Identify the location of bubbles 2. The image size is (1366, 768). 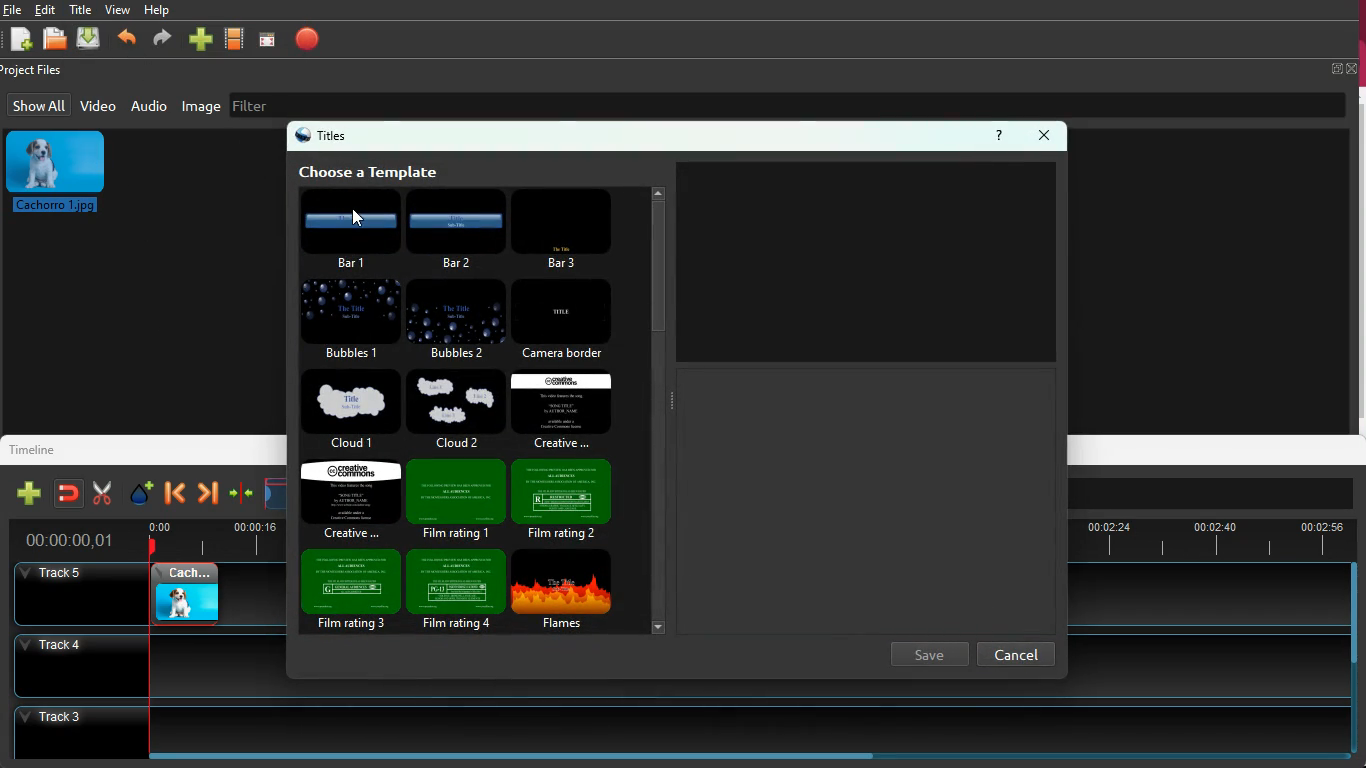
(455, 319).